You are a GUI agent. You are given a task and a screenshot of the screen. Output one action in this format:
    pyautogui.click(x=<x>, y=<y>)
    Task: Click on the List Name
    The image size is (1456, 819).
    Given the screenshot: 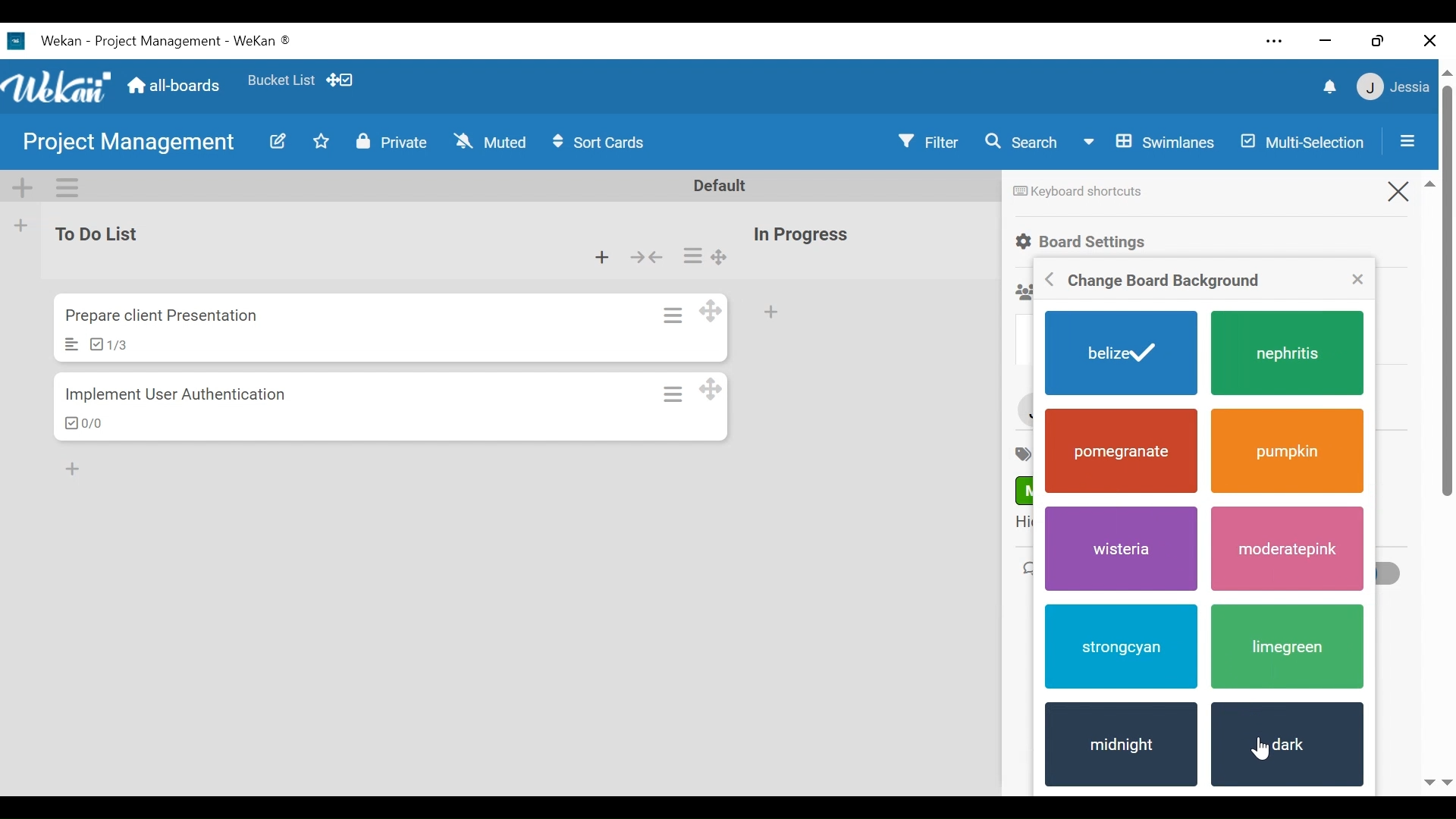 What is the action you would take?
    pyautogui.click(x=103, y=234)
    